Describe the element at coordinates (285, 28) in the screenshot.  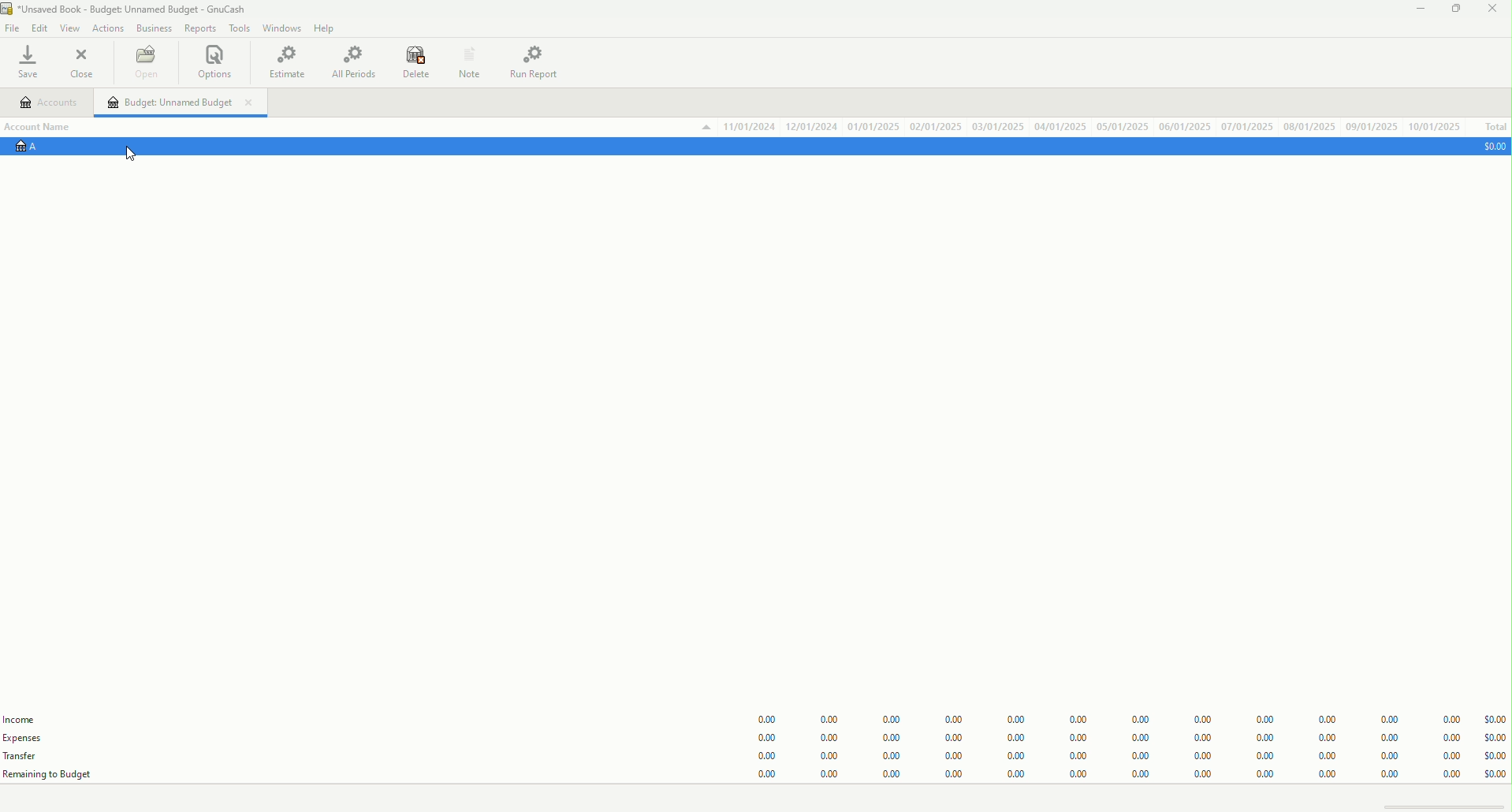
I see `Windows` at that location.